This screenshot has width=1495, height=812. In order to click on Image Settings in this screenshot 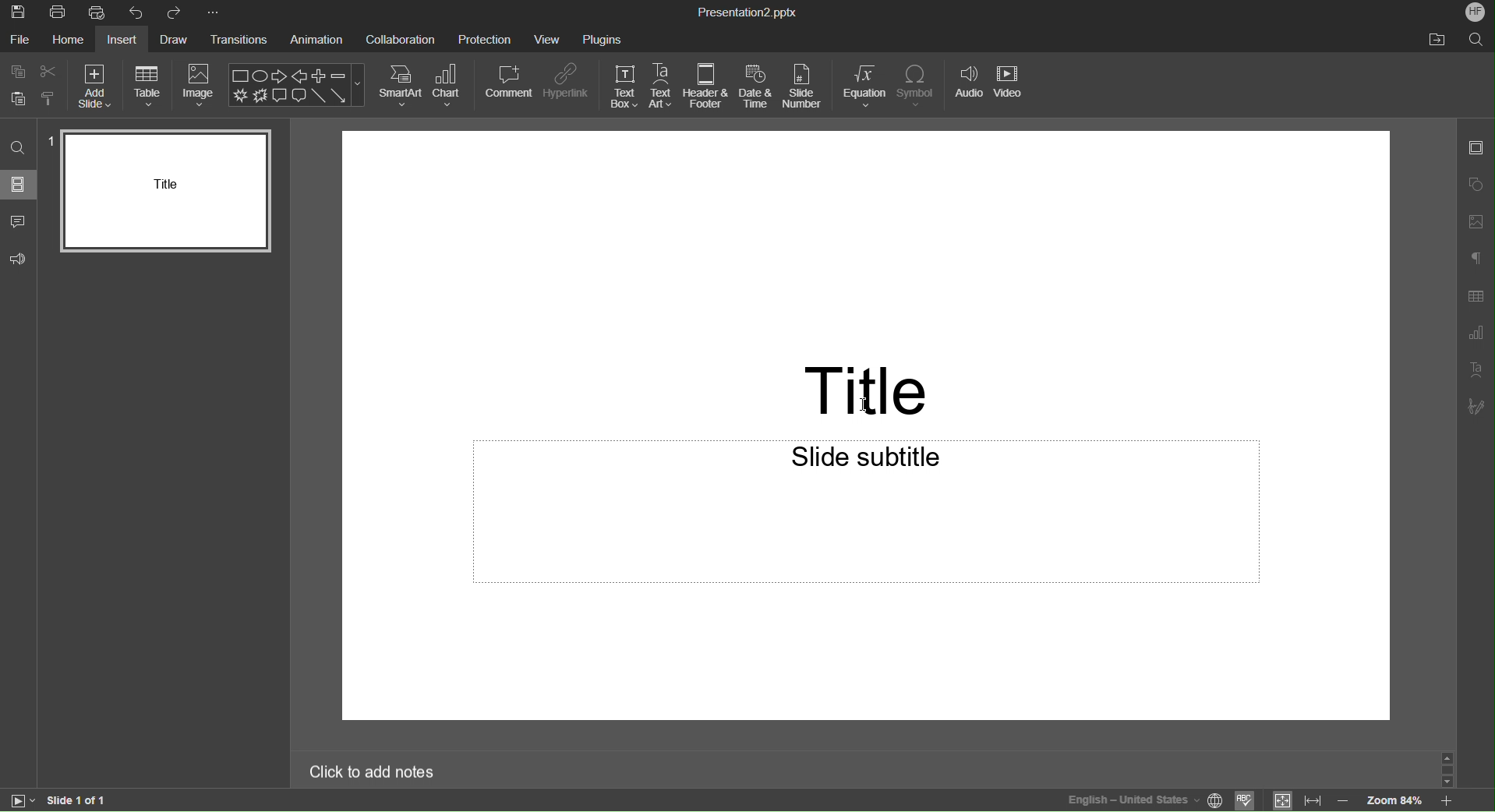, I will do `click(1476, 223)`.